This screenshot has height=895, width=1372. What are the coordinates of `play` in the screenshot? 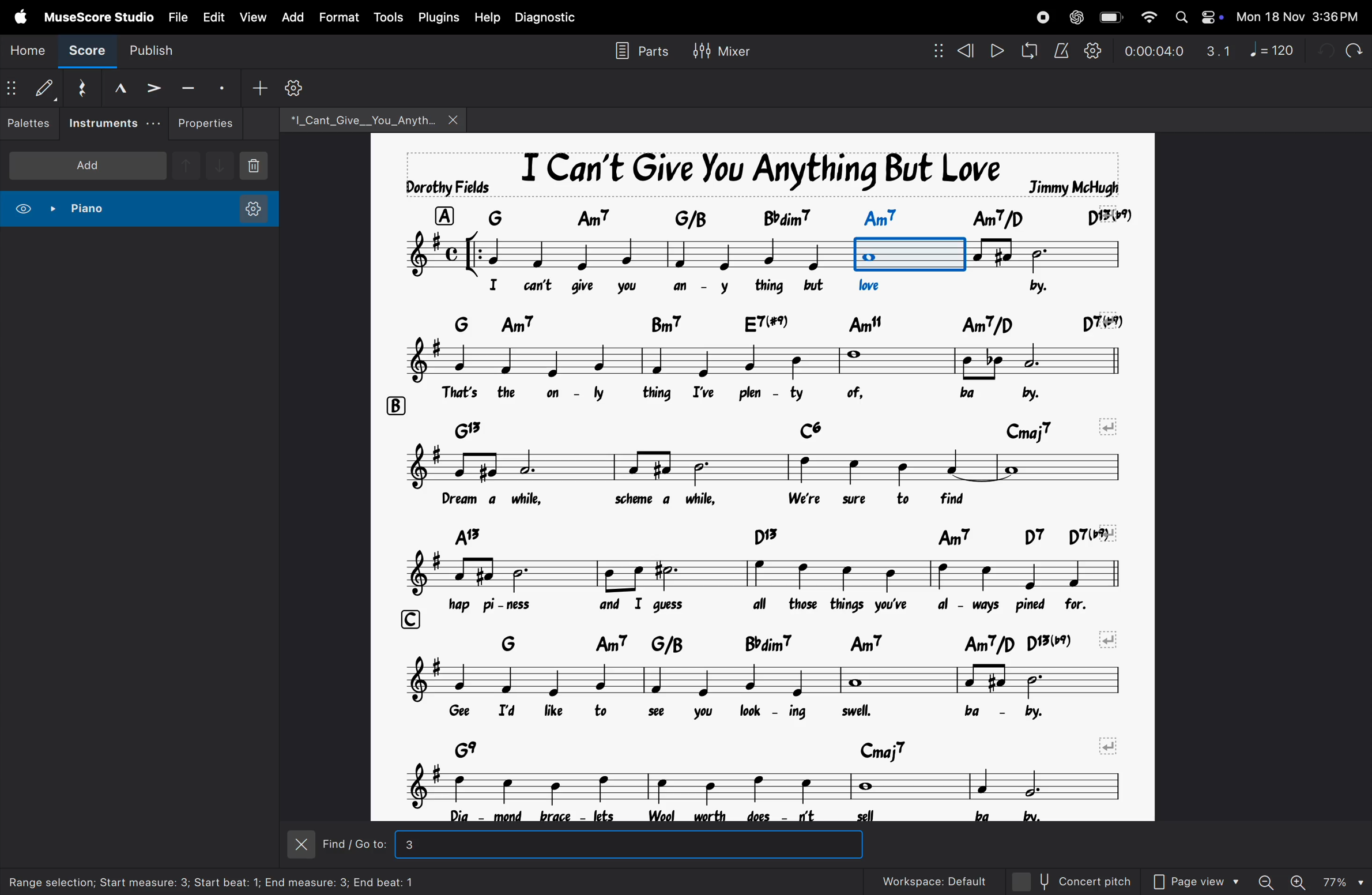 It's located at (997, 51).